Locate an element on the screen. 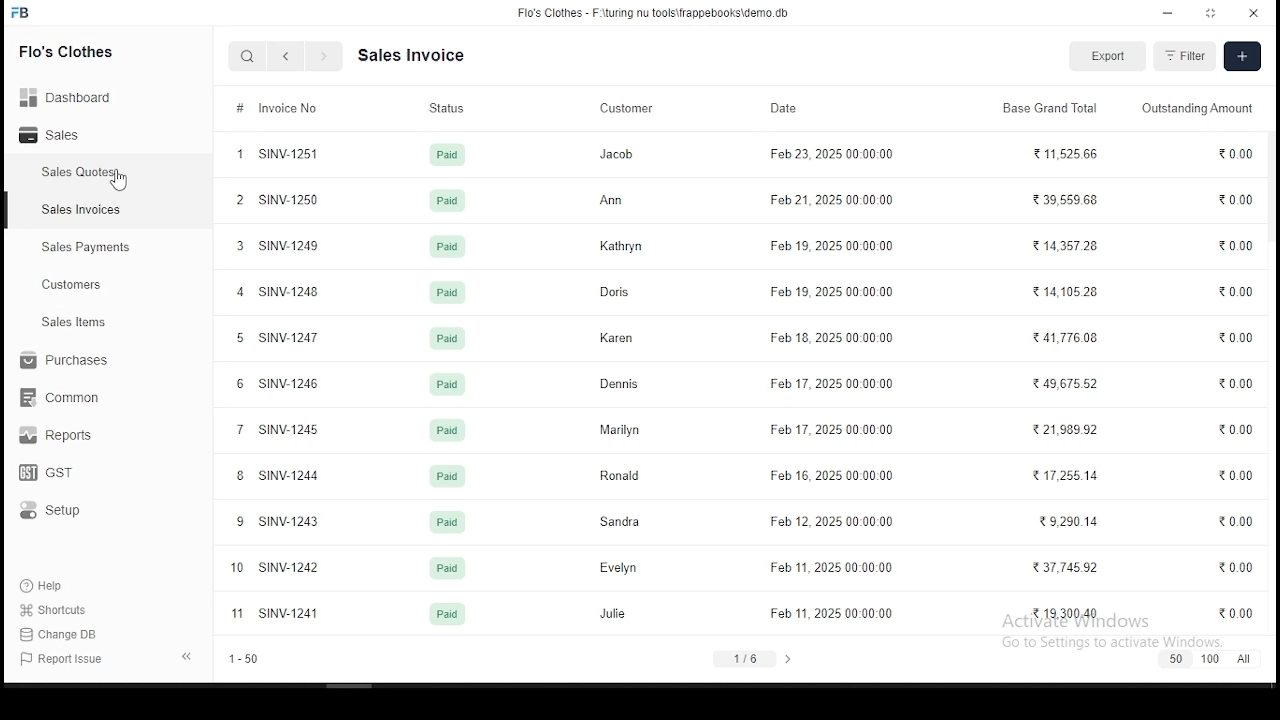 The width and height of the screenshot is (1280, 720). T1152566 is located at coordinates (1072, 153).